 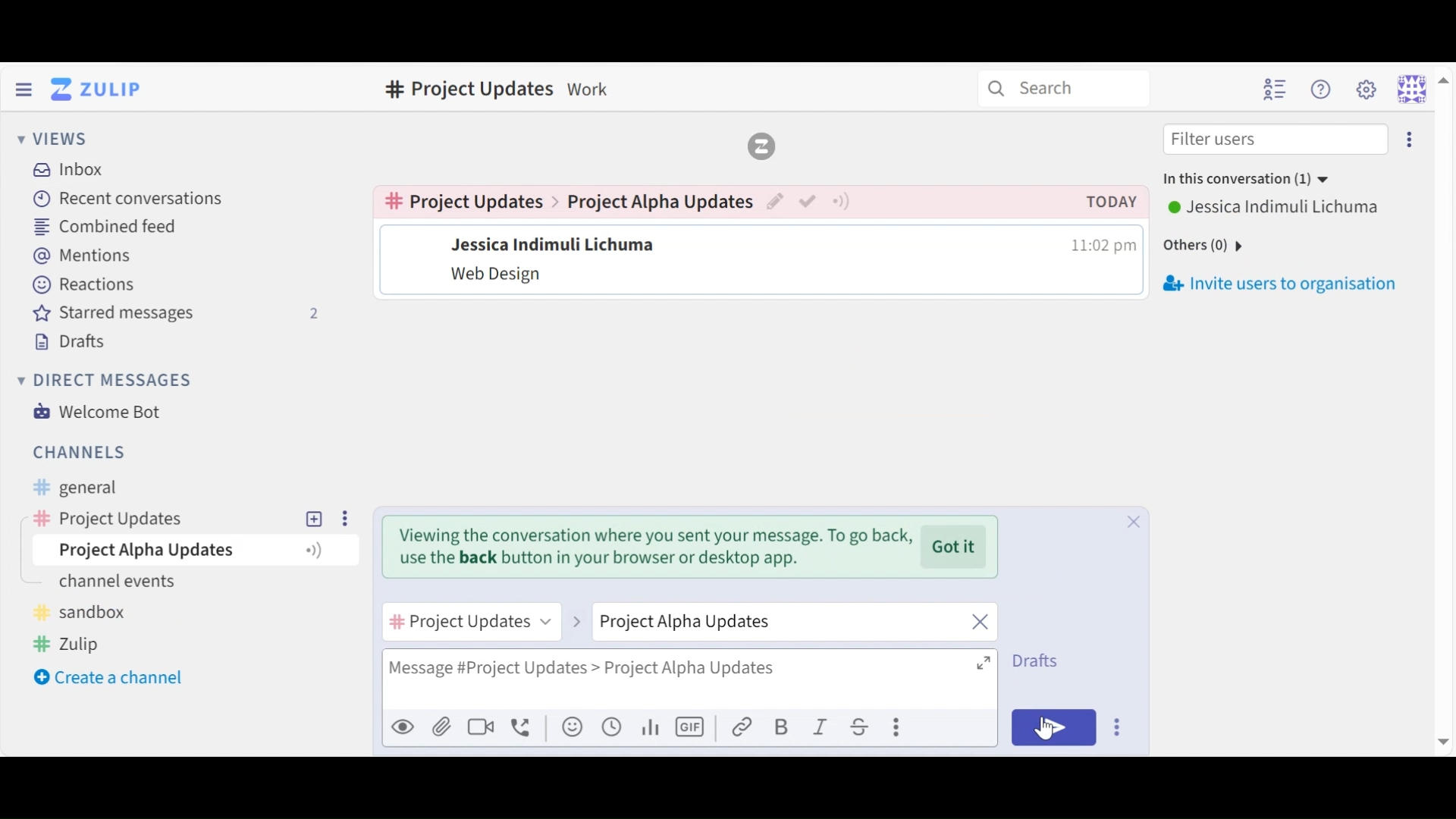 What do you see at coordinates (689, 677) in the screenshot?
I see `Message` at bounding box center [689, 677].